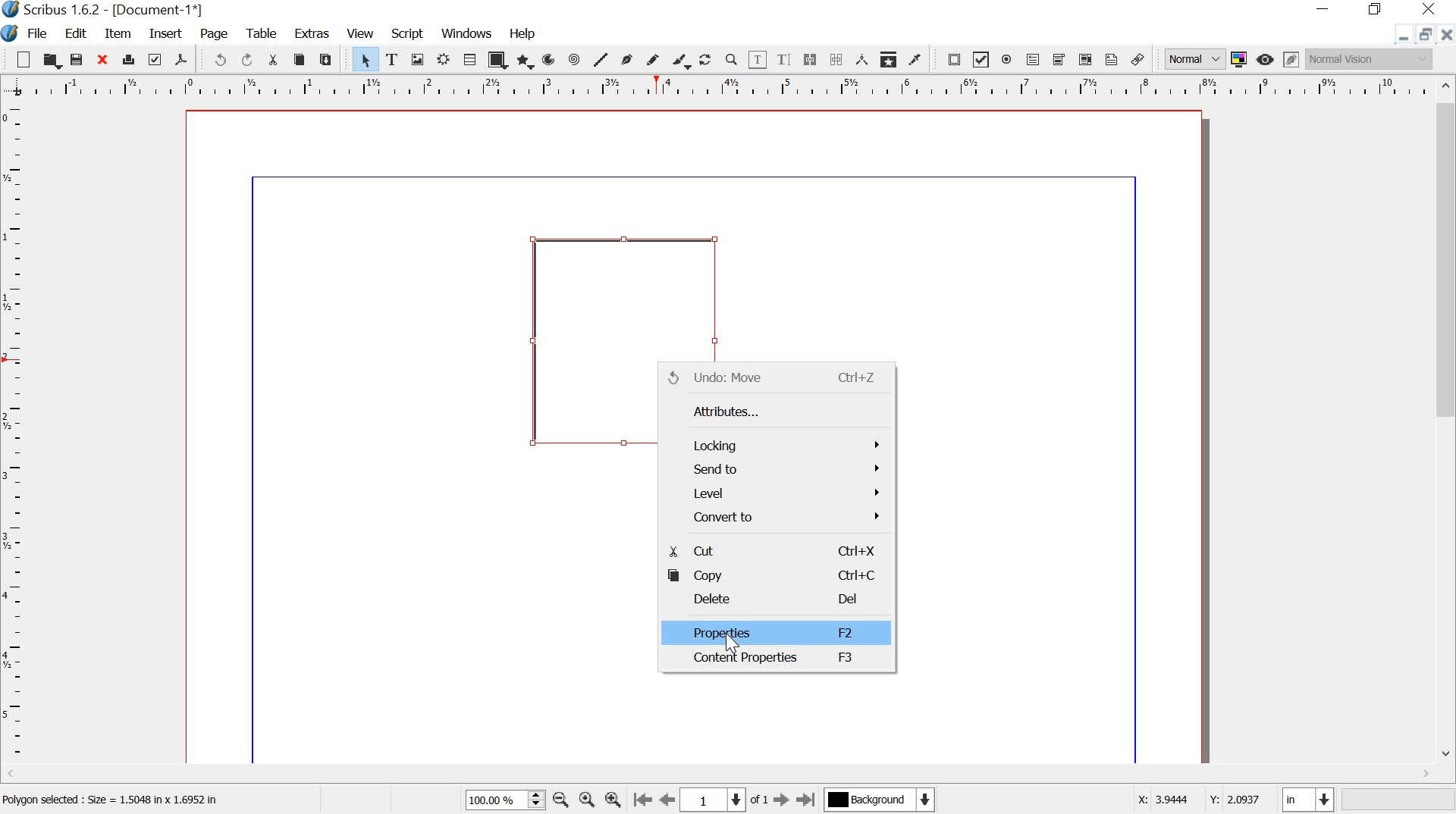  What do you see at coordinates (1375, 9) in the screenshot?
I see `restore down` at bounding box center [1375, 9].